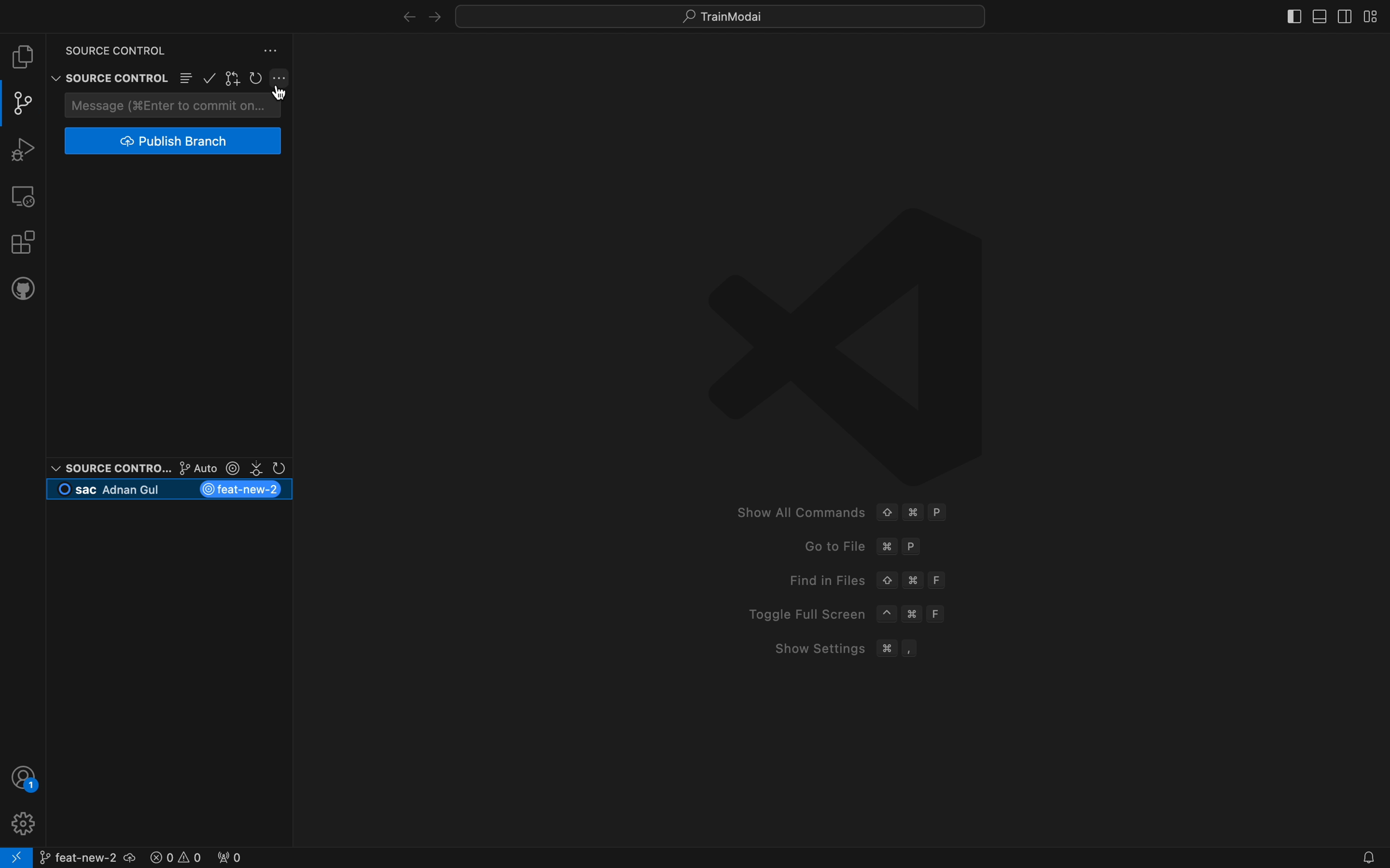 The image size is (1390, 868). Describe the element at coordinates (23, 57) in the screenshot. I see `file` at that location.